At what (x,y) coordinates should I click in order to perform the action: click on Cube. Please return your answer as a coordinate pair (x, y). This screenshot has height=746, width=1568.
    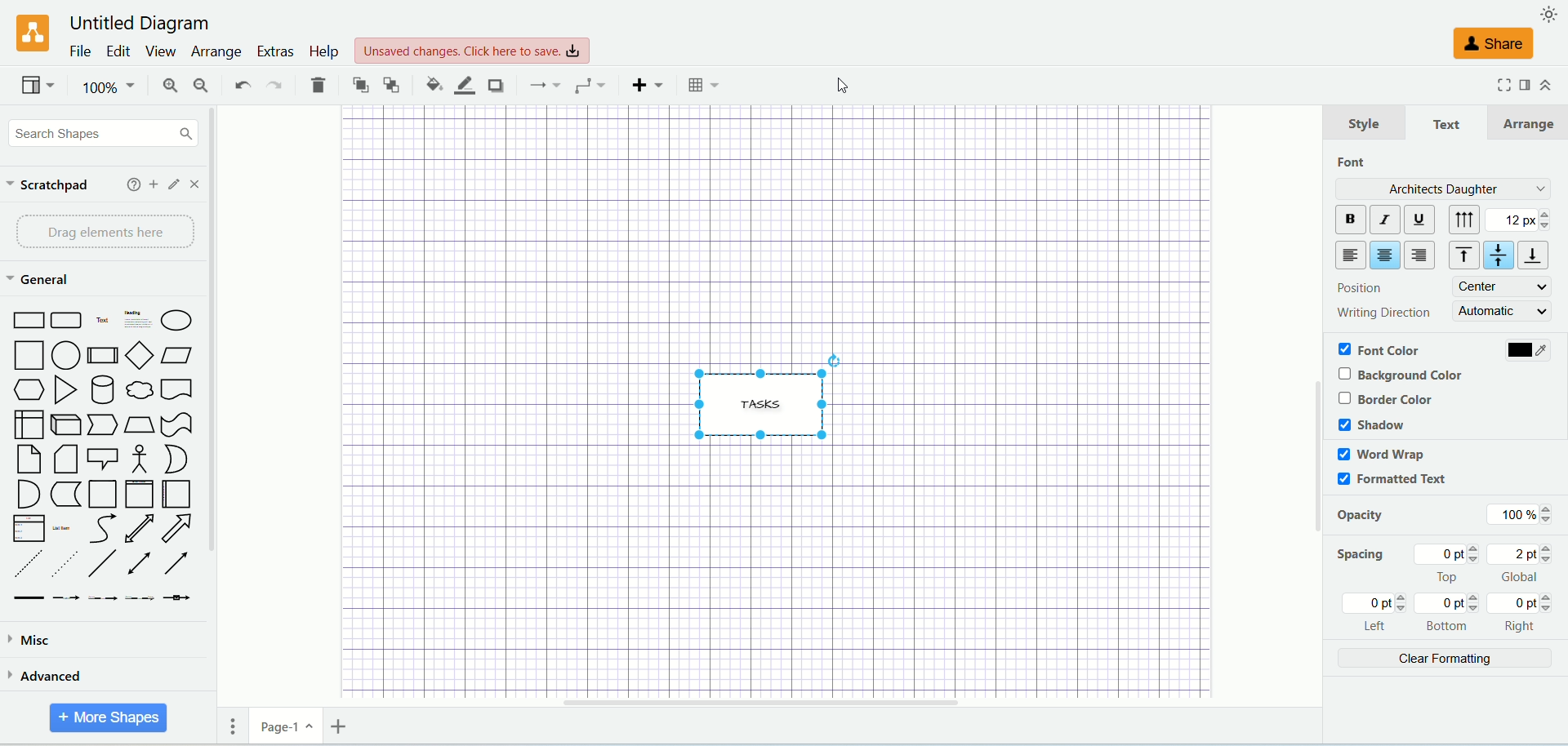
    Looking at the image, I should click on (65, 425).